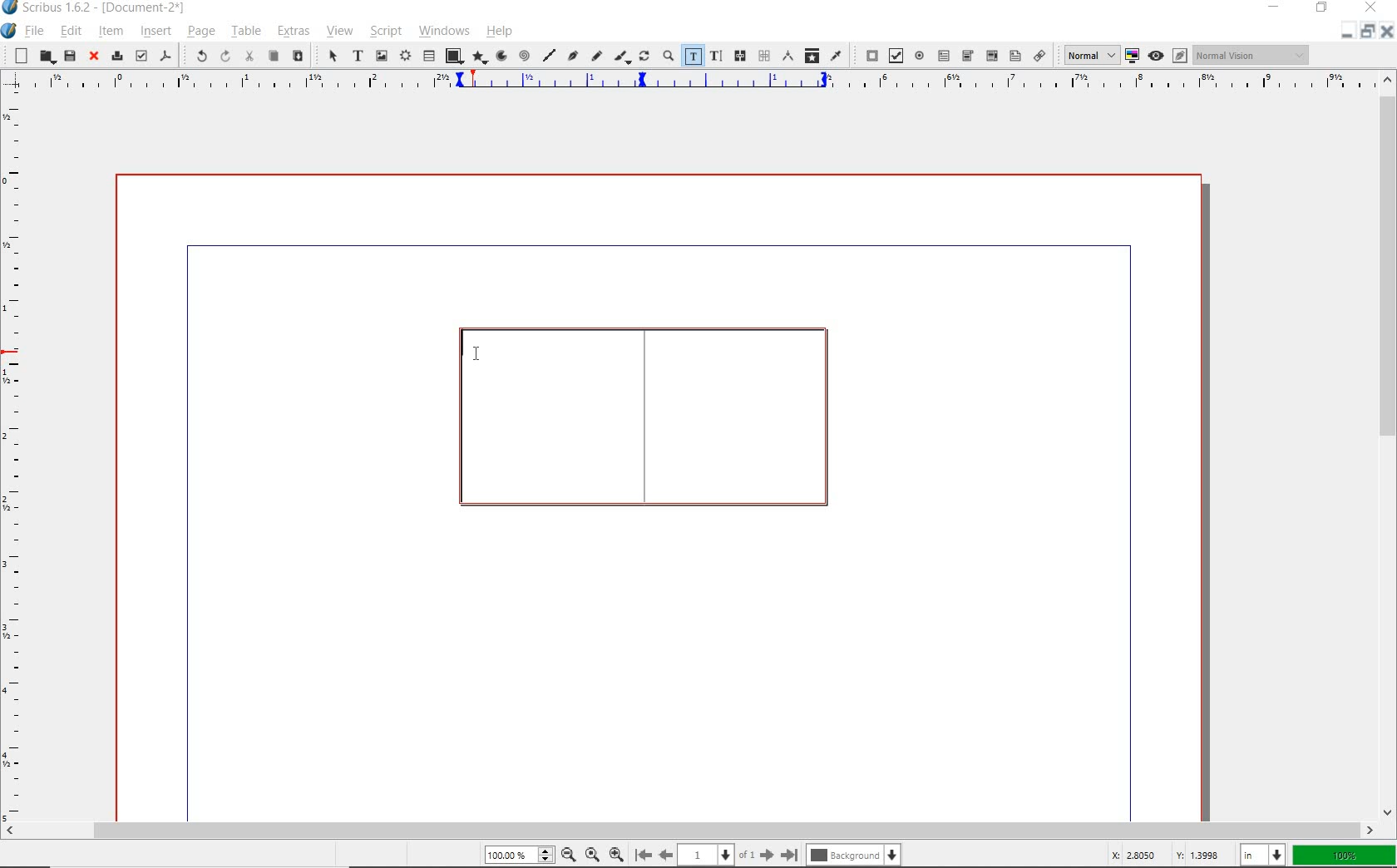 This screenshot has height=868, width=1397. Describe the element at coordinates (763, 57) in the screenshot. I see `unlink text frames` at that location.